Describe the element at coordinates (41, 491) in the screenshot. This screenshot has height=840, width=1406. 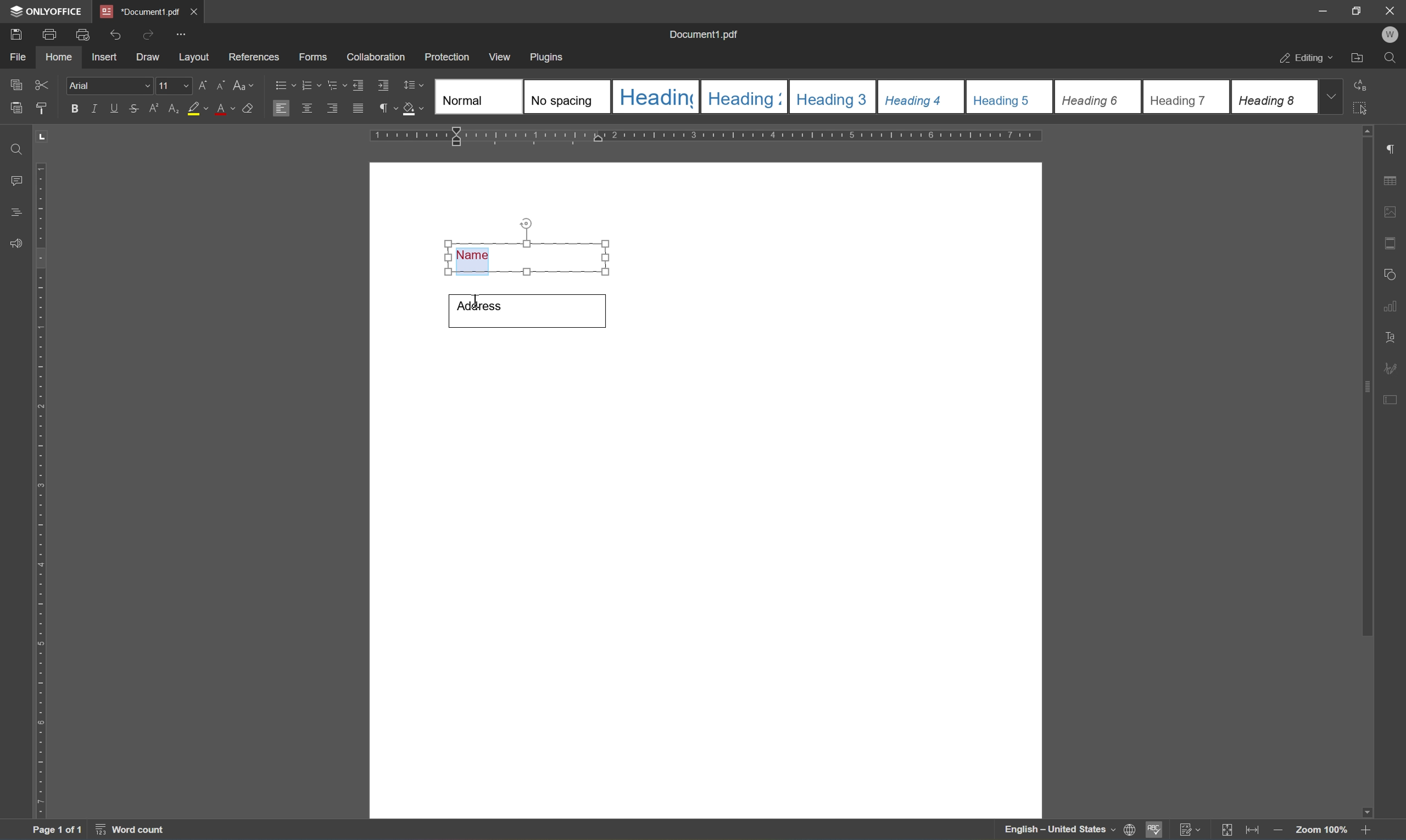
I see `ruler` at that location.